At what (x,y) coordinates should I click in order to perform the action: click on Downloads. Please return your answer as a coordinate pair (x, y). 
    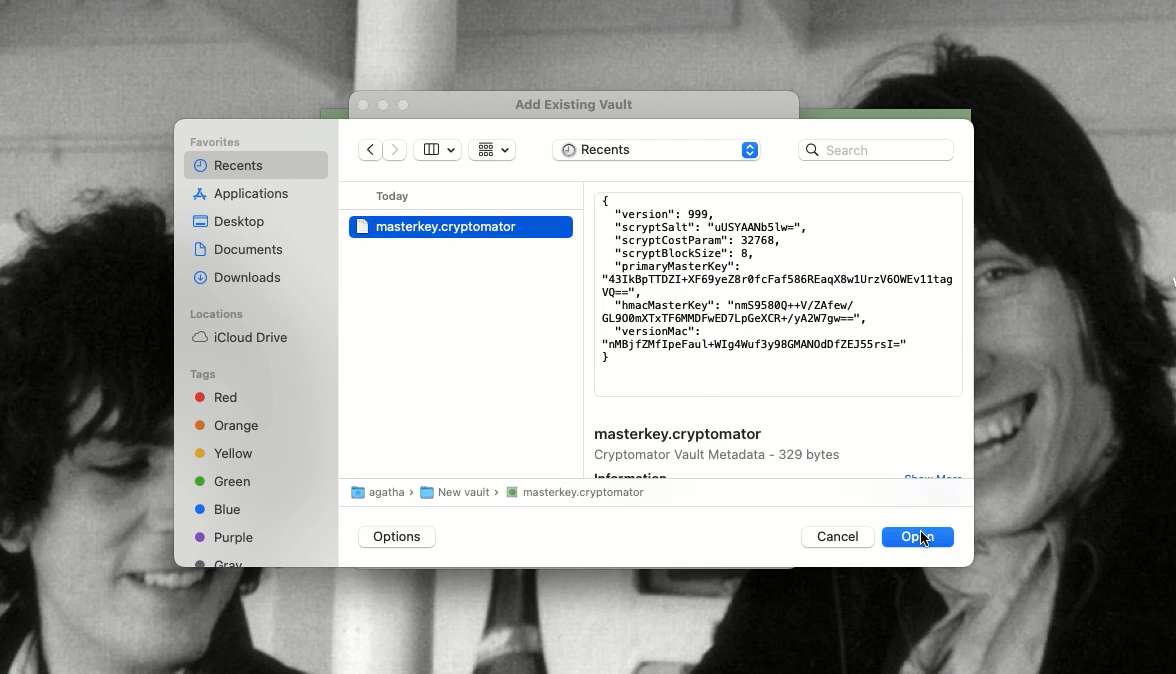
    Looking at the image, I should click on (240, 276).